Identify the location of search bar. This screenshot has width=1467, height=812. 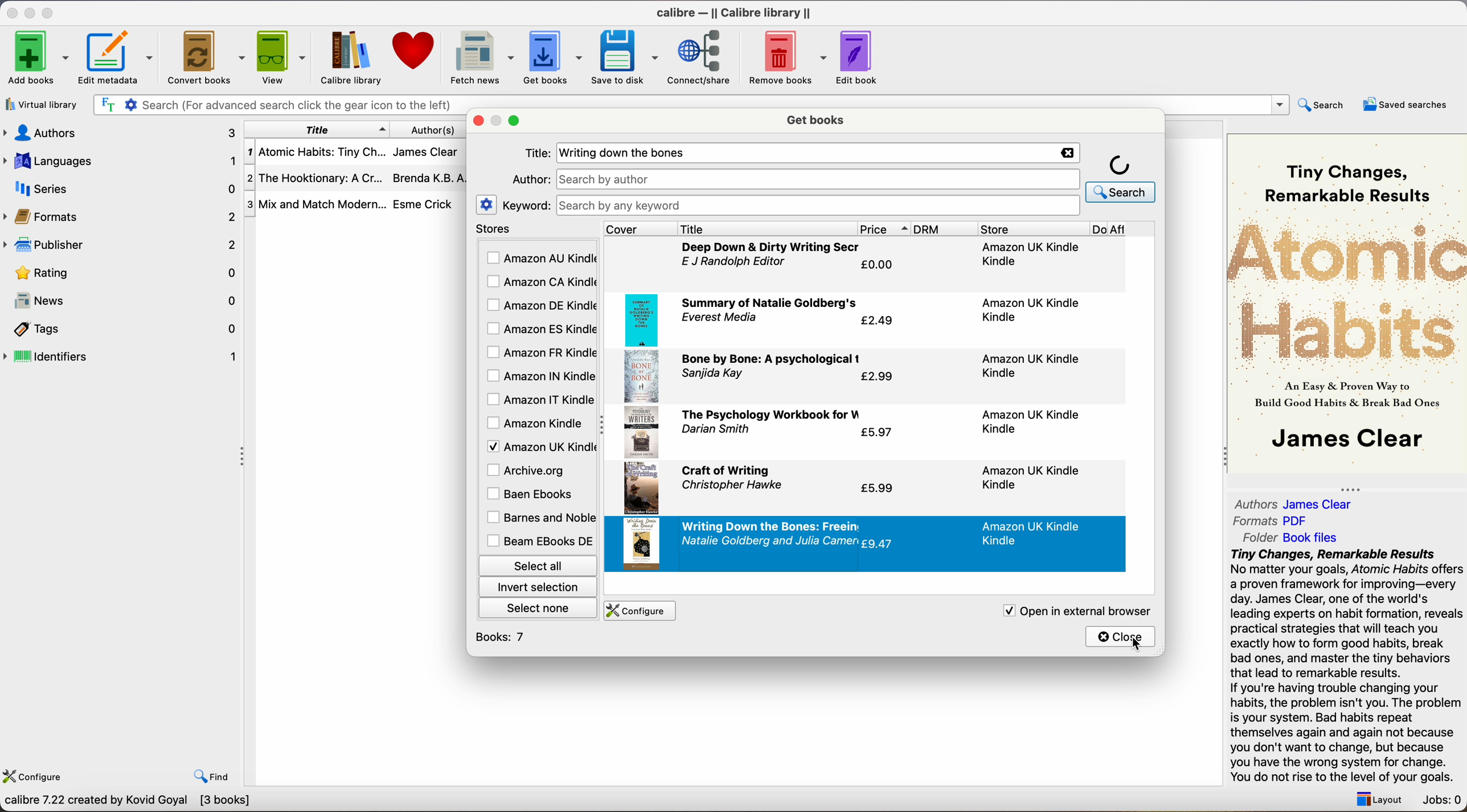
(817, 206).